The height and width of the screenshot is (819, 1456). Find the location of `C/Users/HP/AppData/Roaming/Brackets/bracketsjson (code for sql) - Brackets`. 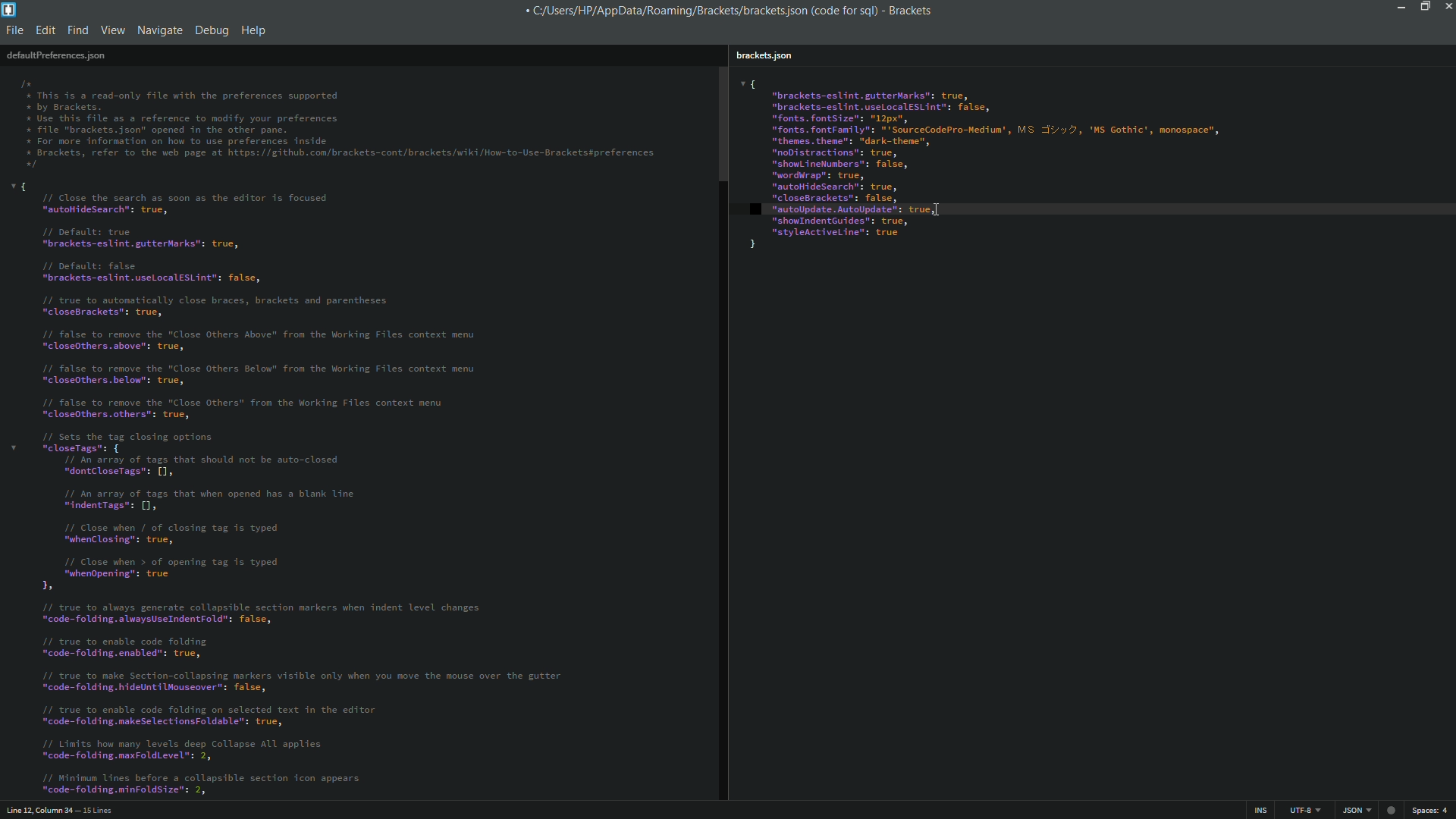

C/Users/HP/AppData/Roaming/Brackets/bracketsjson (code for sql) - Brackets is located at coordinates (736, 11).